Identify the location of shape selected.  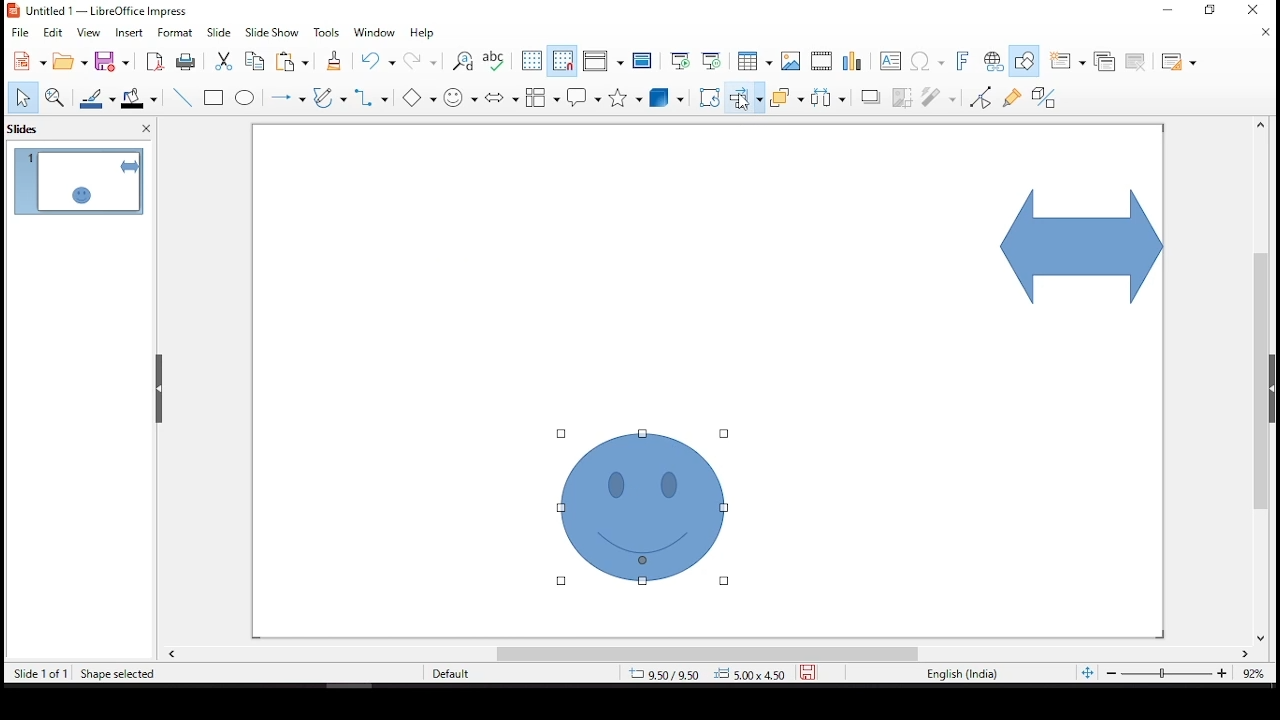
(113, 673).